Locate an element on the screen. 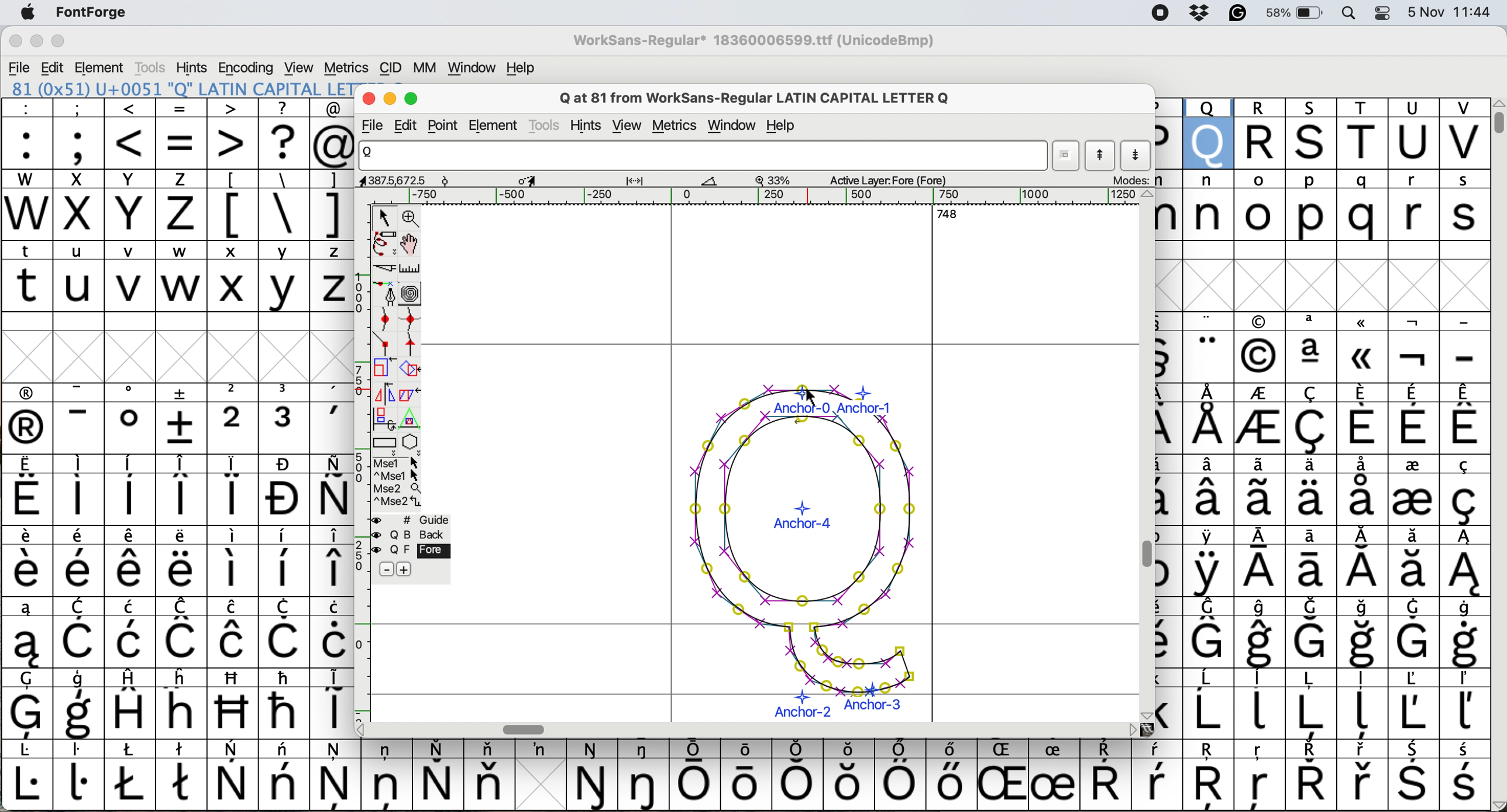 This screenshot has height=812, width=1507. vertical scroll bar is located at coordinates (1498, 121).